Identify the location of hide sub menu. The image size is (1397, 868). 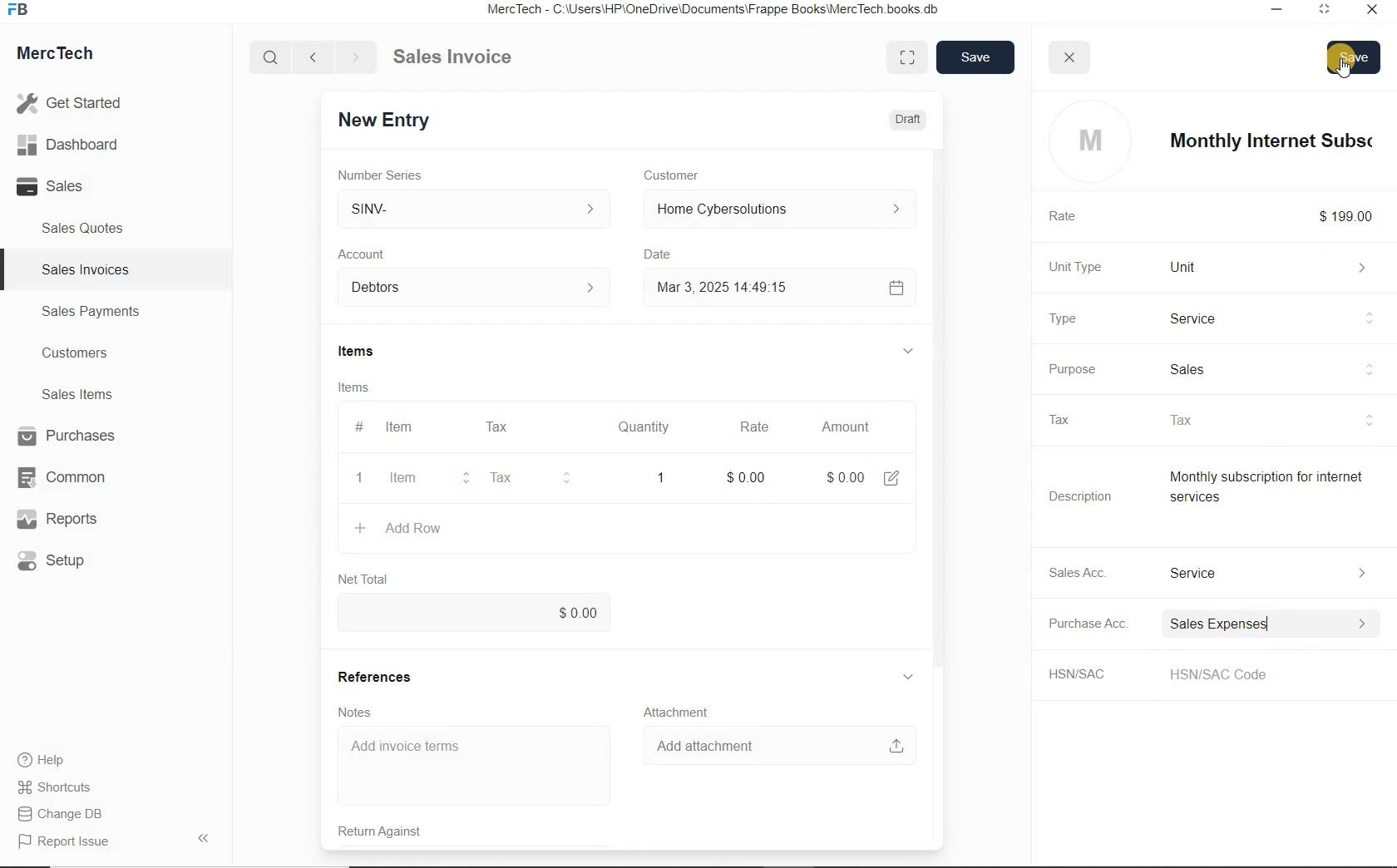
(909, 677).